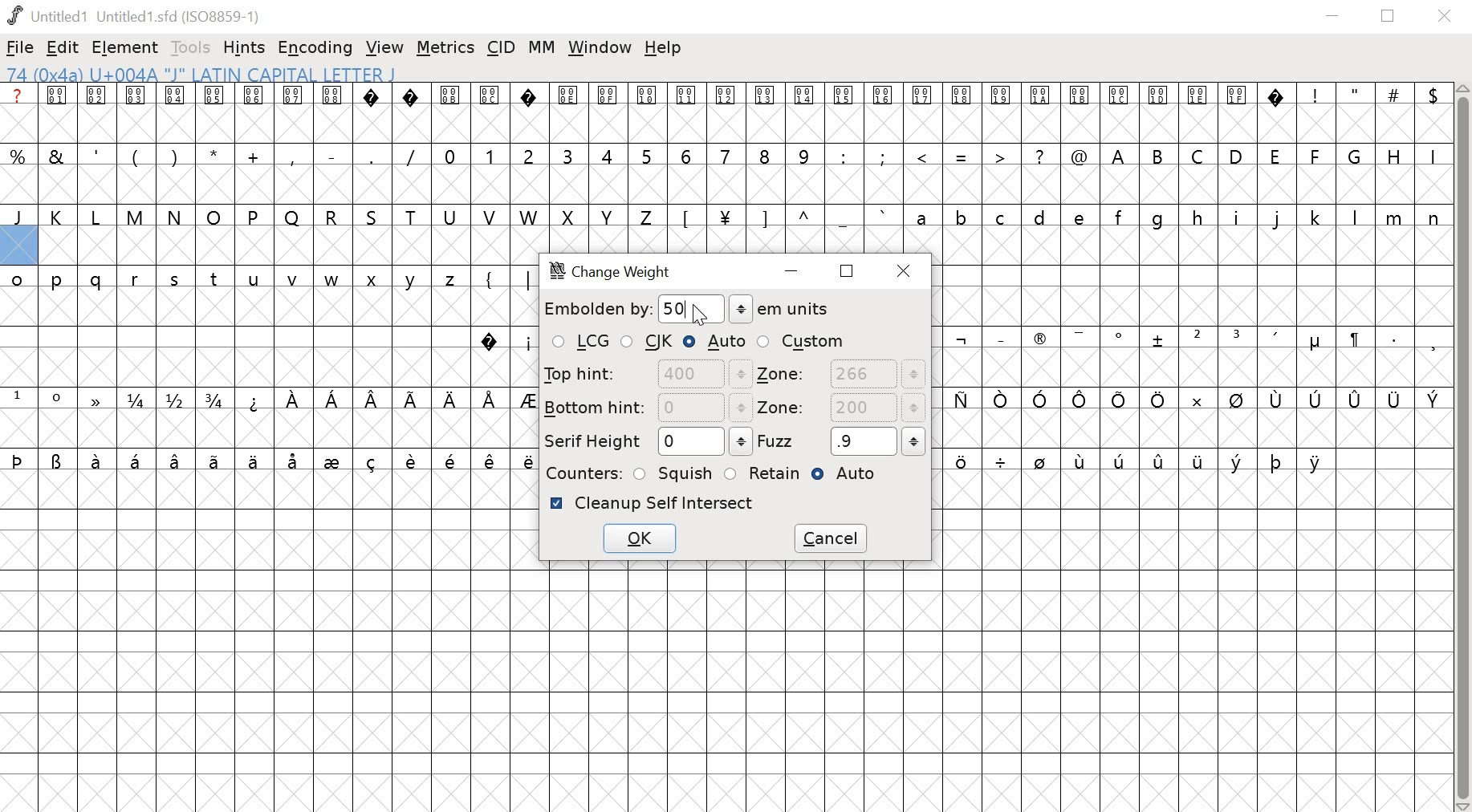  I want to click on HINTS, so click(246, 49).